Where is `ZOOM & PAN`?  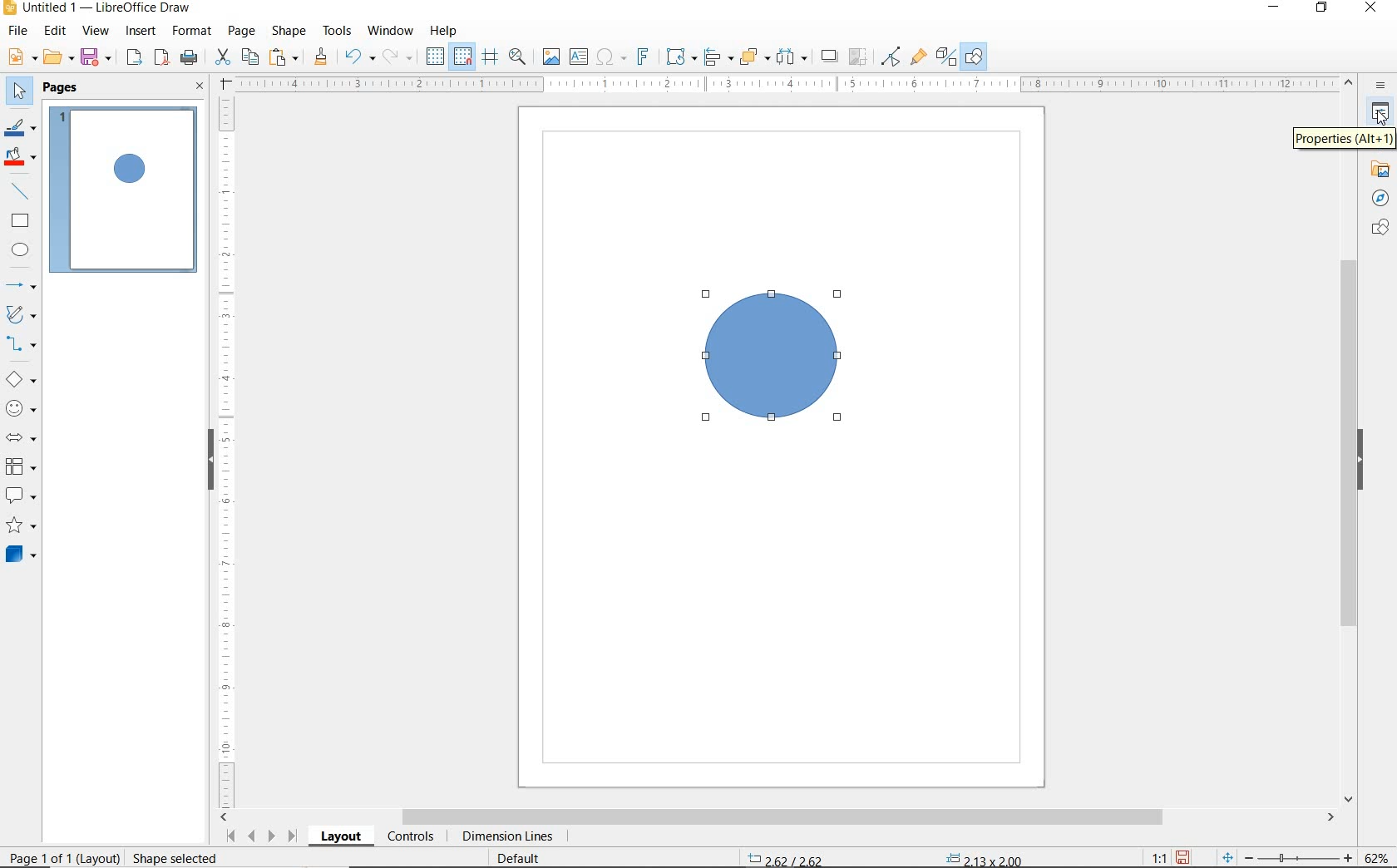
ZOOM & PAN is located at coordinates (520, 58).